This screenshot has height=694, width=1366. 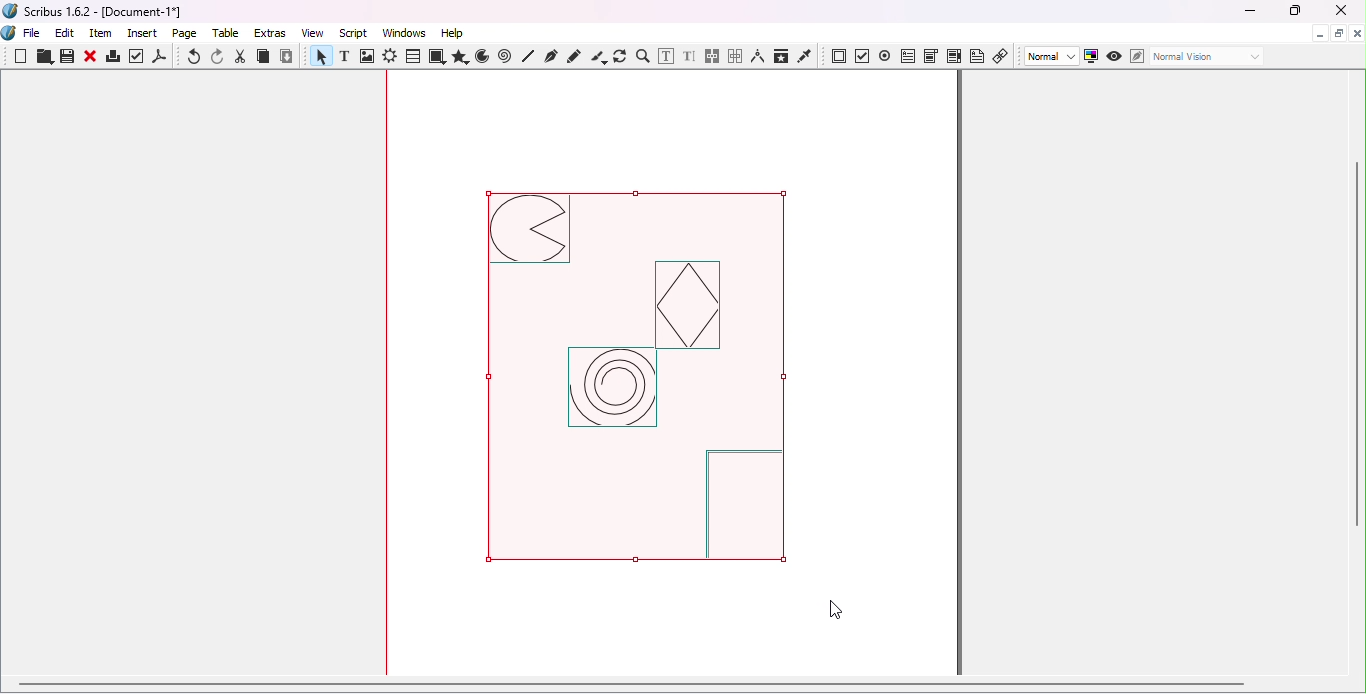 What do you see at coordinates (550, 56) in the screenshot?
I see `Bezier curve tool` at bounding box center [550, 56].